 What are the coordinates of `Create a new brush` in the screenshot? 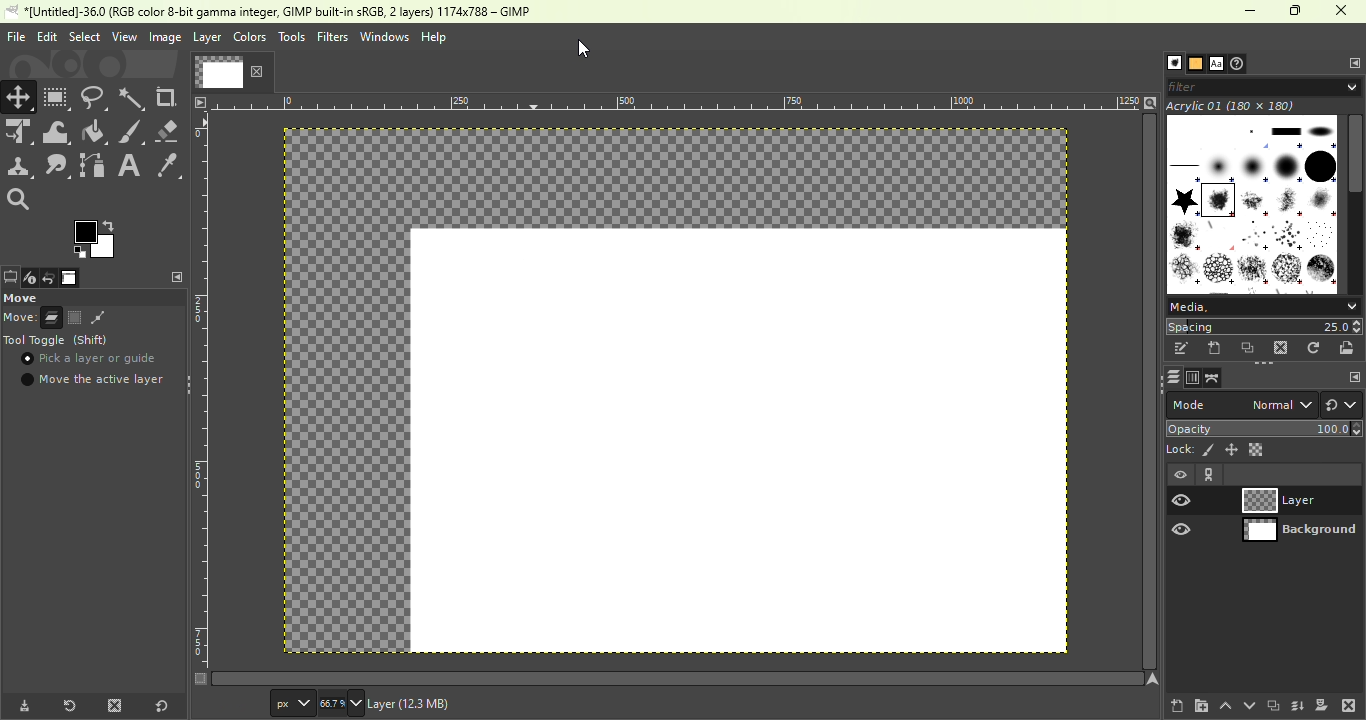 It's located at (1215, 349).